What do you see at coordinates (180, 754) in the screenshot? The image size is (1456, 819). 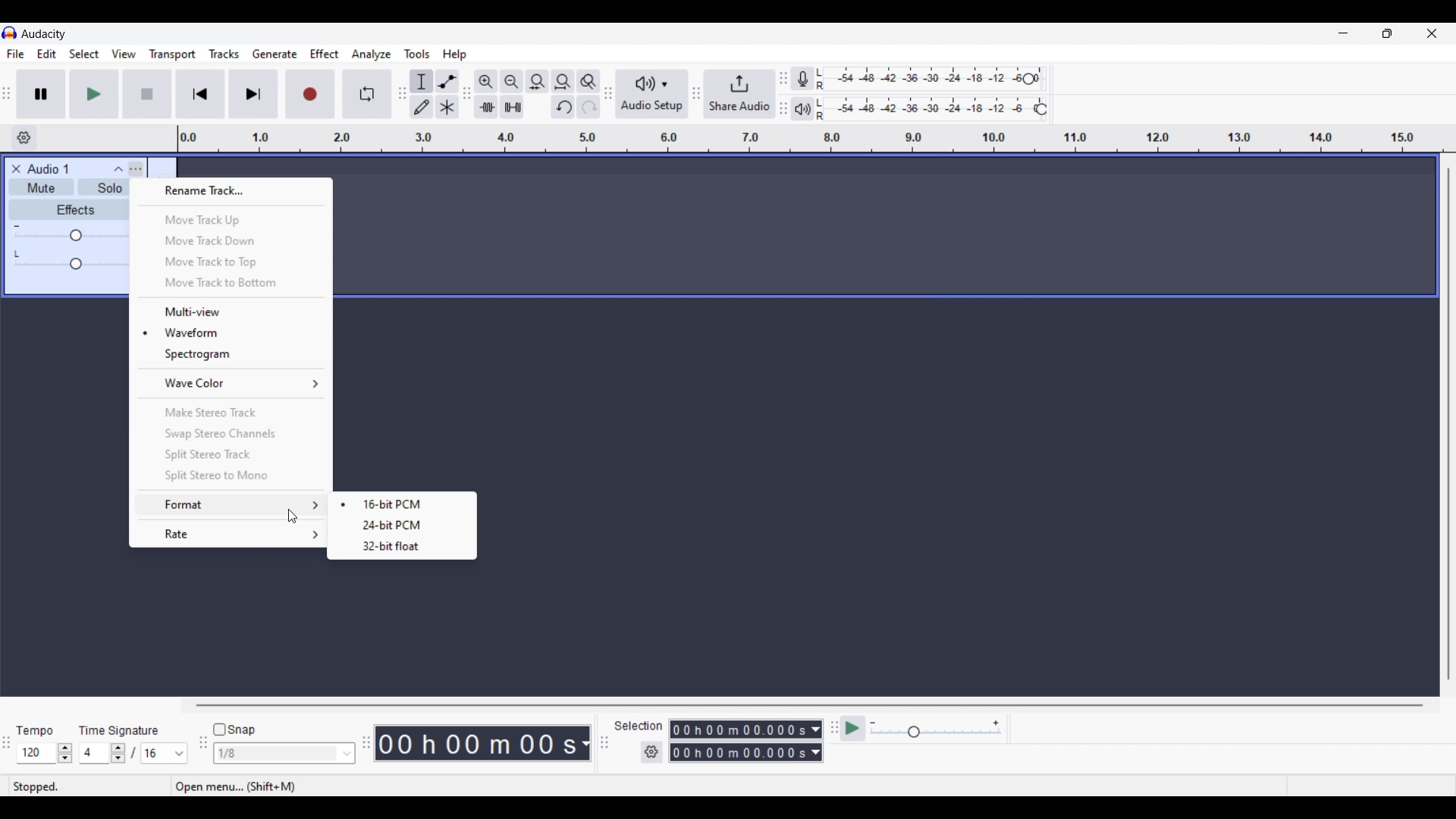 I see `Time signature options` at bounding box center [180, 754].